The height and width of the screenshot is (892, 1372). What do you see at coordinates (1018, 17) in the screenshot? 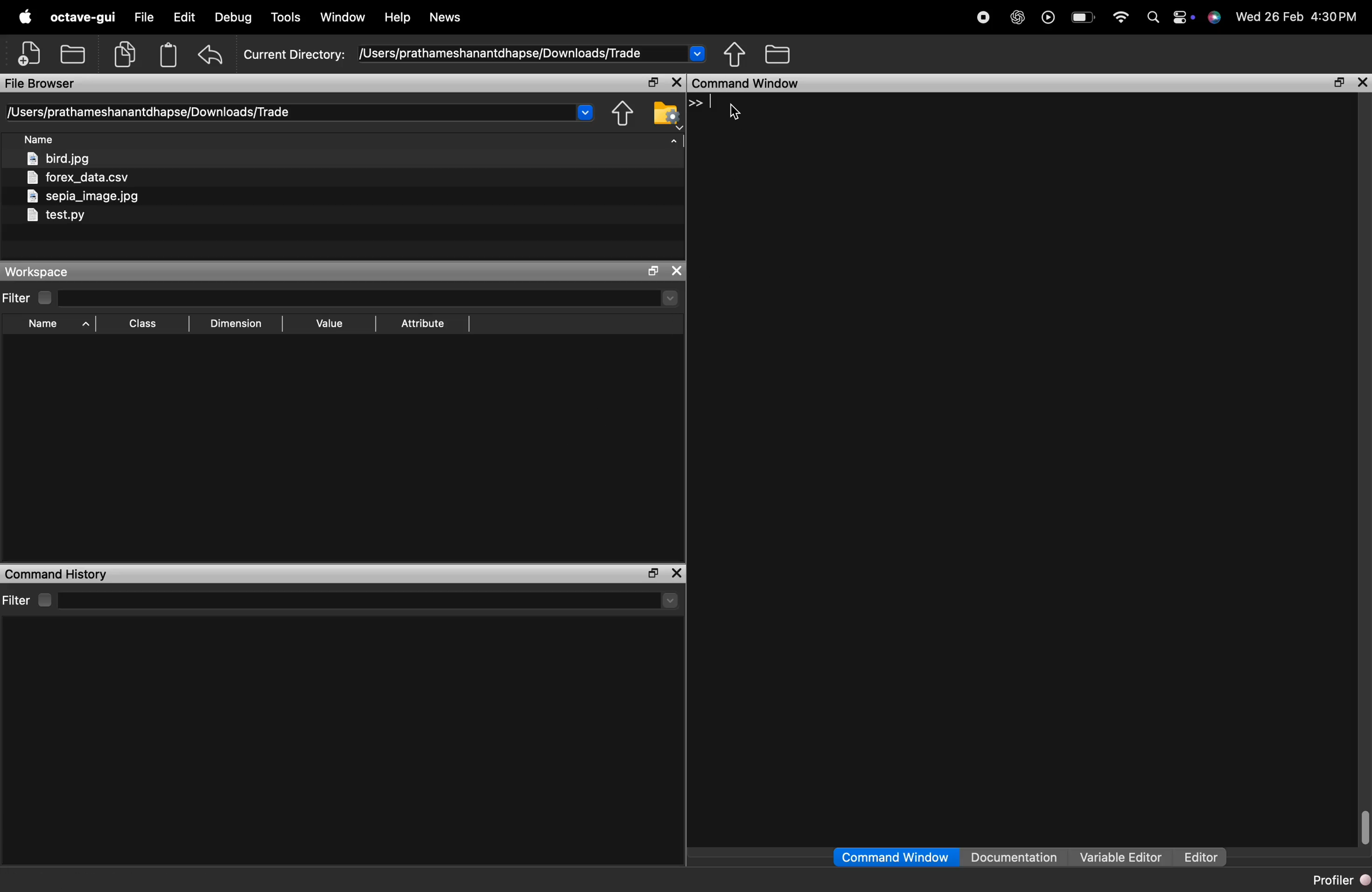
I see `chatgpt` at bounding box center [1018, 17].